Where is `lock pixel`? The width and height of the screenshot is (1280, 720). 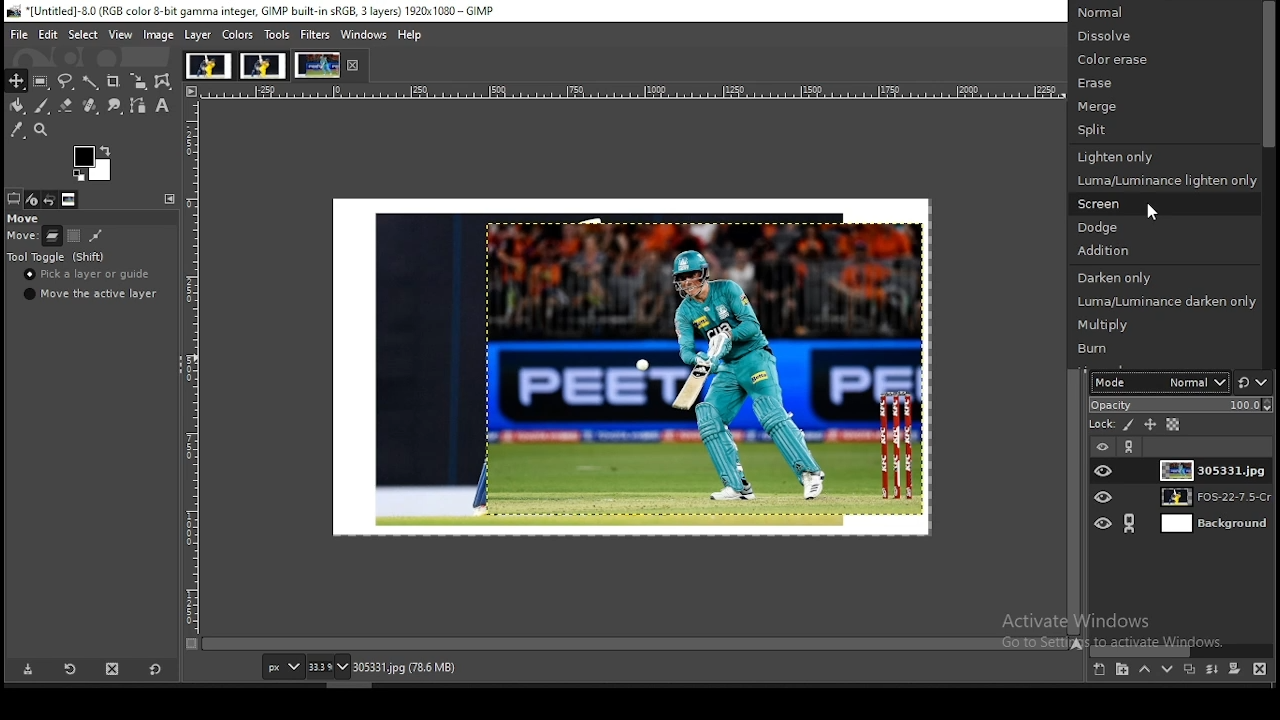
lock pixel is located at coordinates (1131, 425).